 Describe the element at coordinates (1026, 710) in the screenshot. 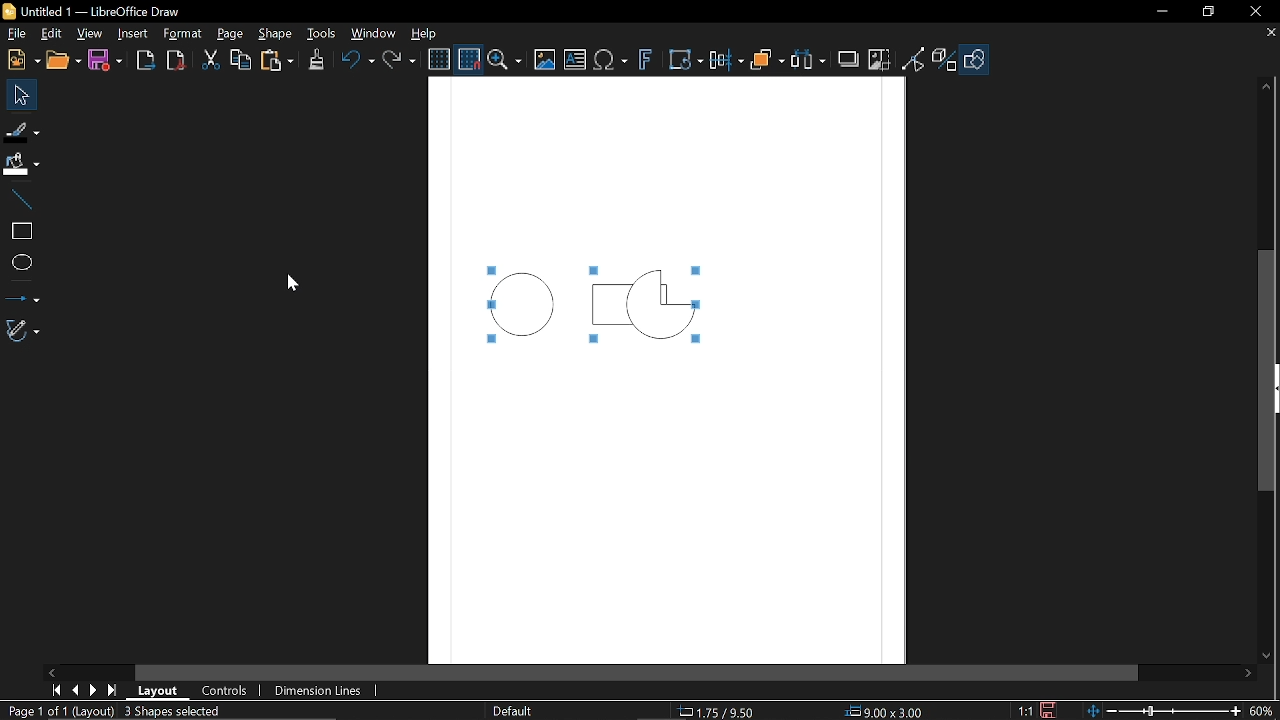

I see `1:1 (Scaling factor)` at that location.